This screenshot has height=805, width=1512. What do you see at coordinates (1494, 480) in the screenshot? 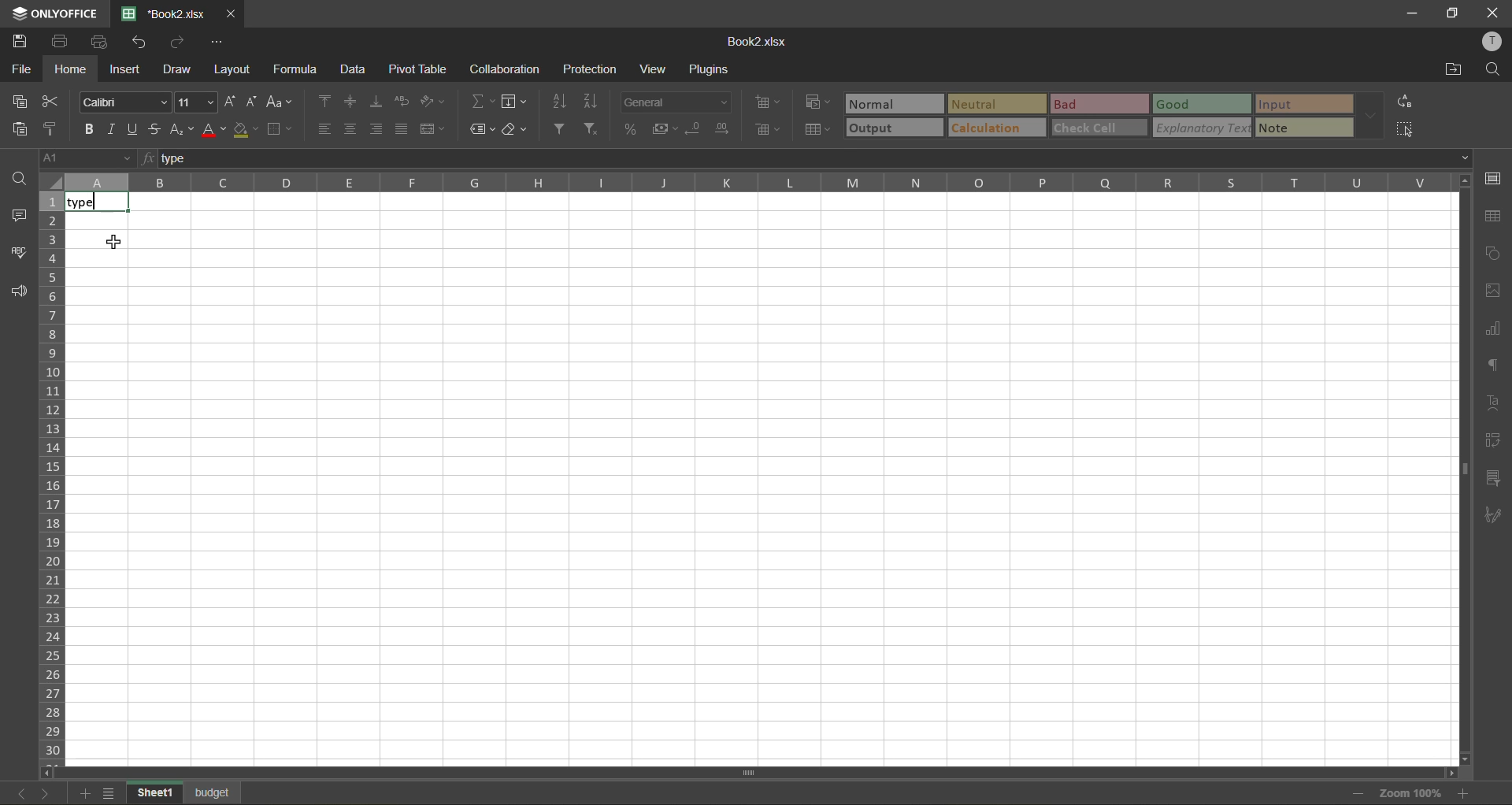
I see `slicer` at bounding box center [1494, 480].